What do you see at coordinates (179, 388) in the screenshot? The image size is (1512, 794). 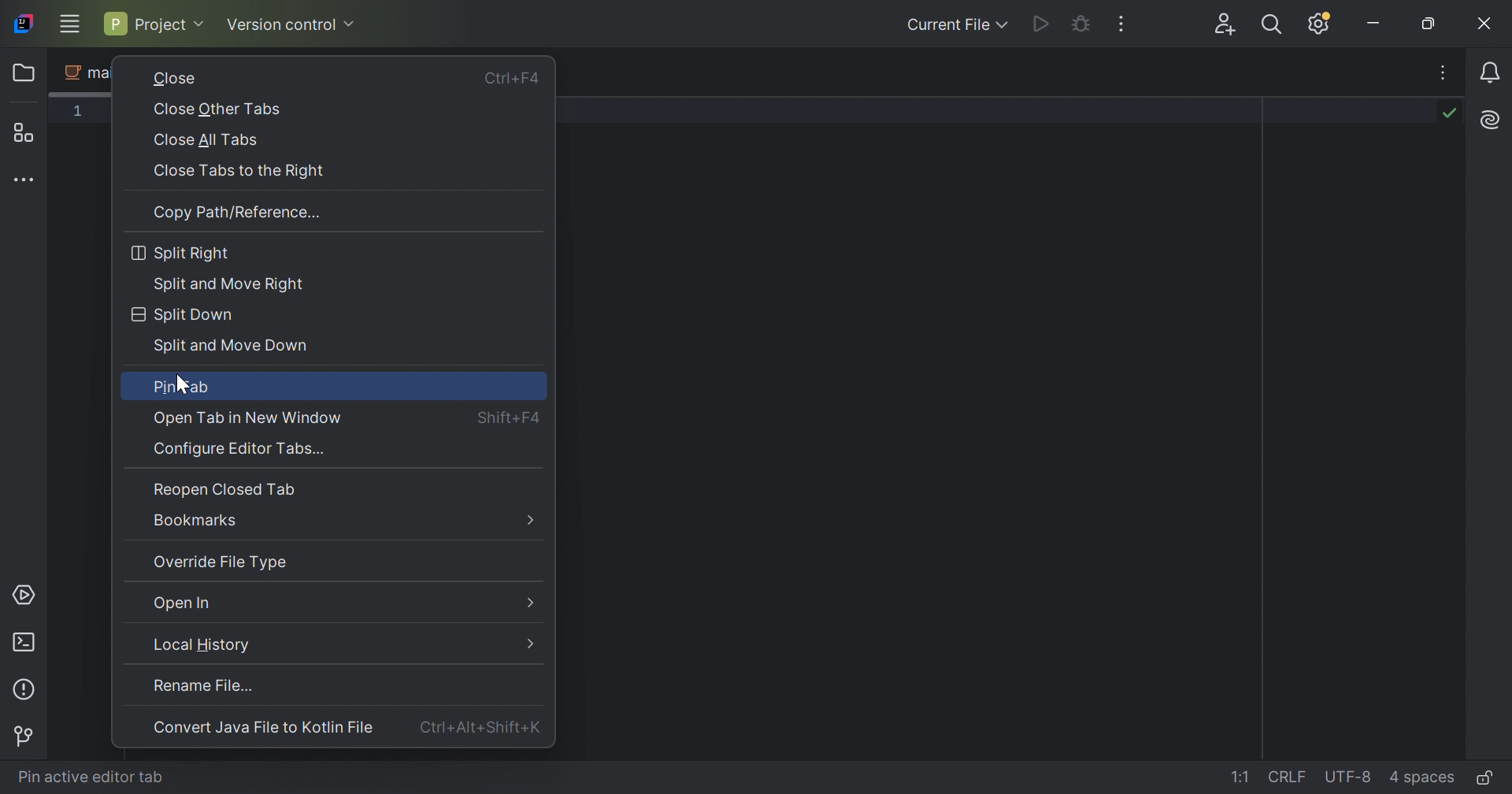 I see `Pin down` at bounding box center [179, 388].